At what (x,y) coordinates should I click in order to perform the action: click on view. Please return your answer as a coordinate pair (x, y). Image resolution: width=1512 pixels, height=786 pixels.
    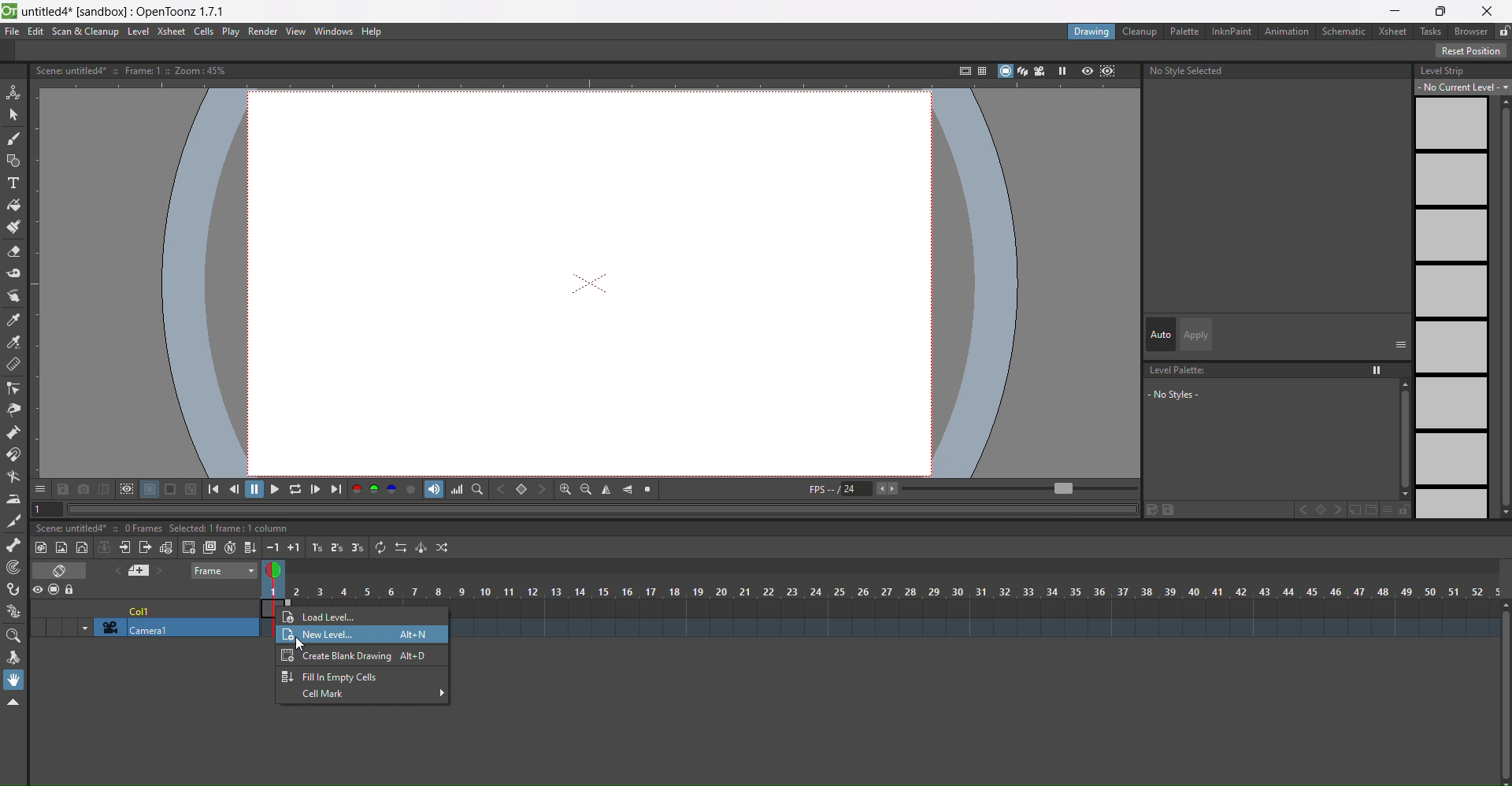
    Looking at the image, I should click on (296, 32).